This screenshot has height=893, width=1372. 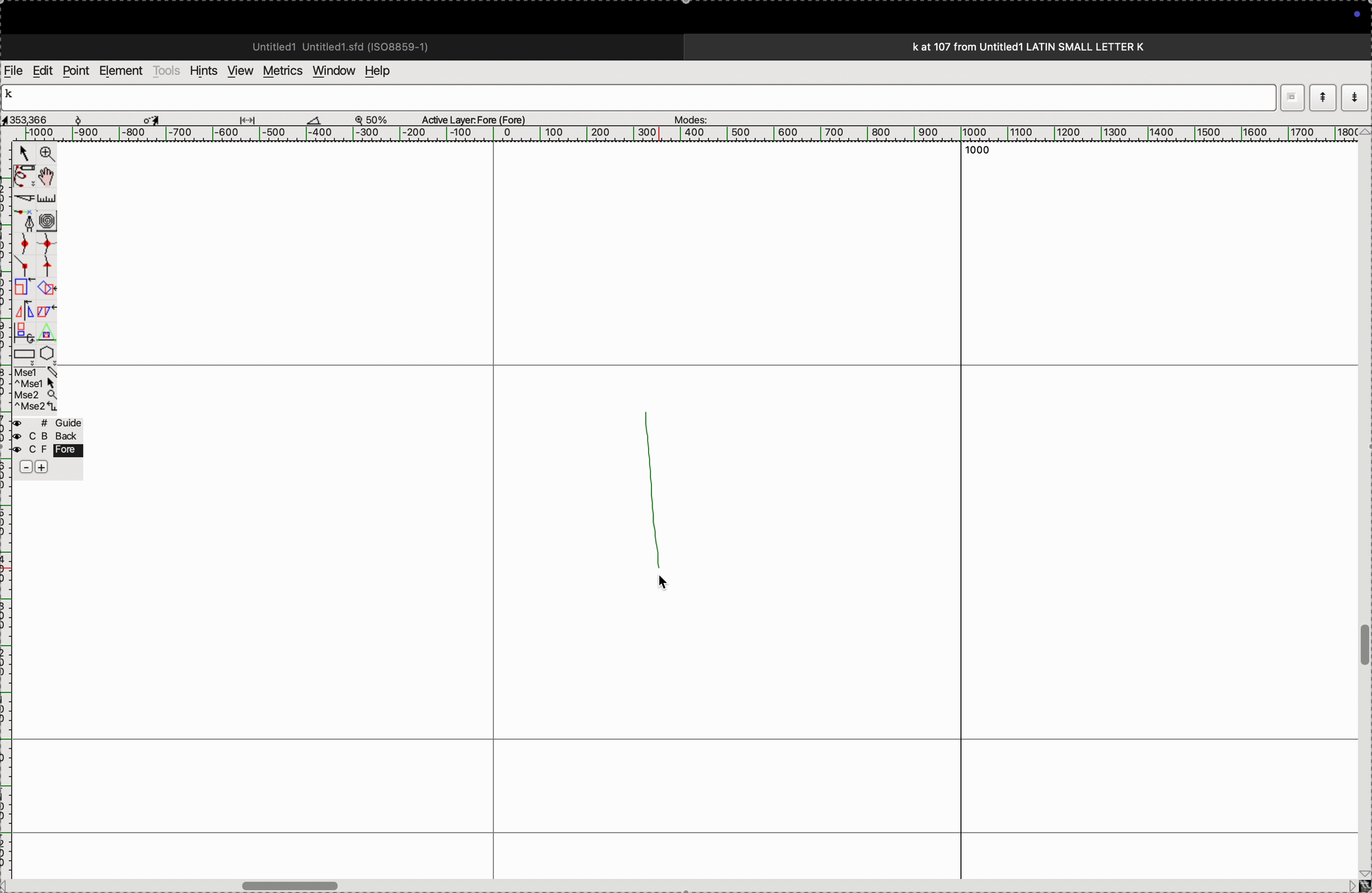 I want to click on hints, so click(x=201, y=70).